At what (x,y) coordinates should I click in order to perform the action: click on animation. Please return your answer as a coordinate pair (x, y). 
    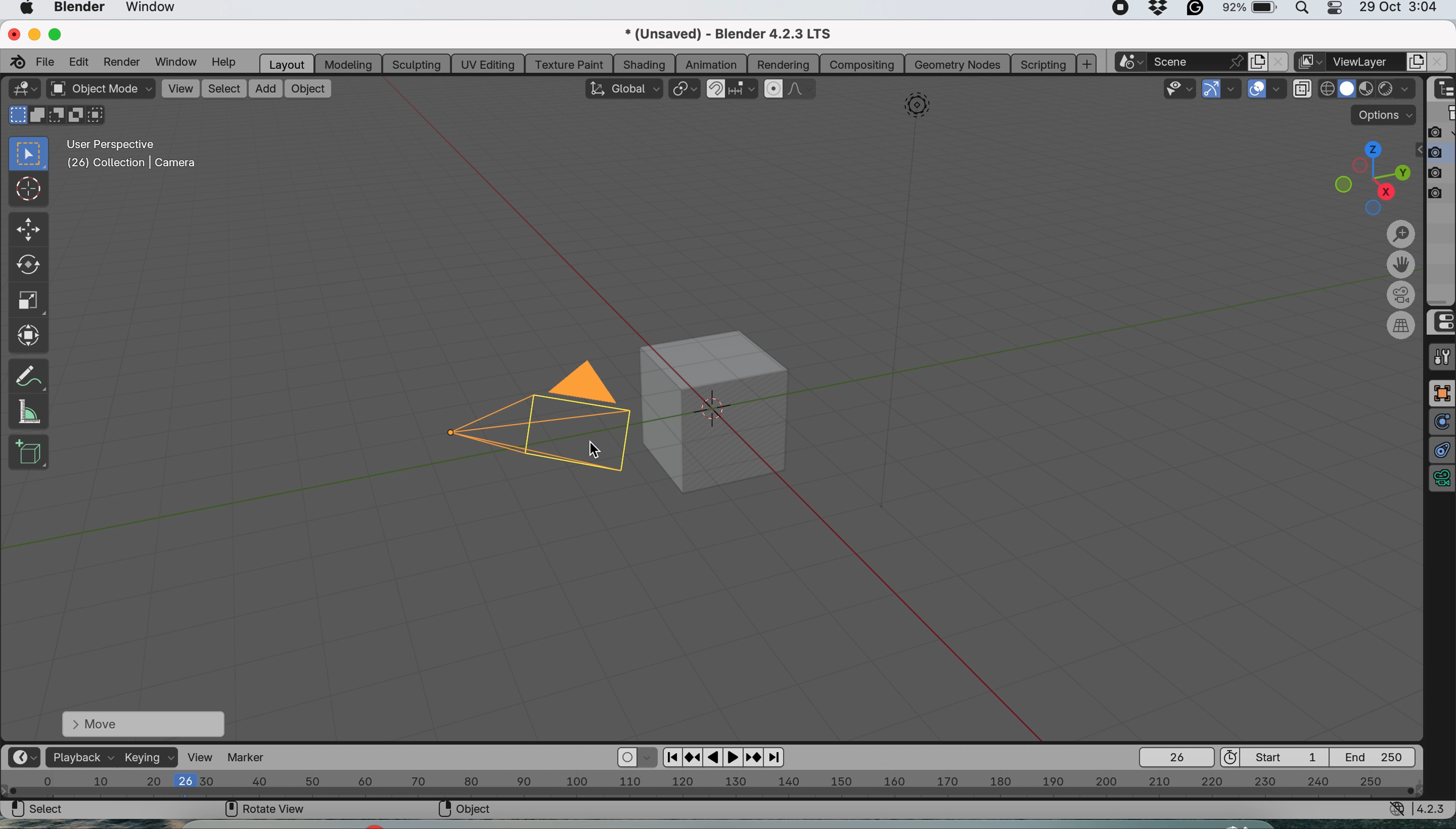
    Looking at the image, I should click on (712, 64).